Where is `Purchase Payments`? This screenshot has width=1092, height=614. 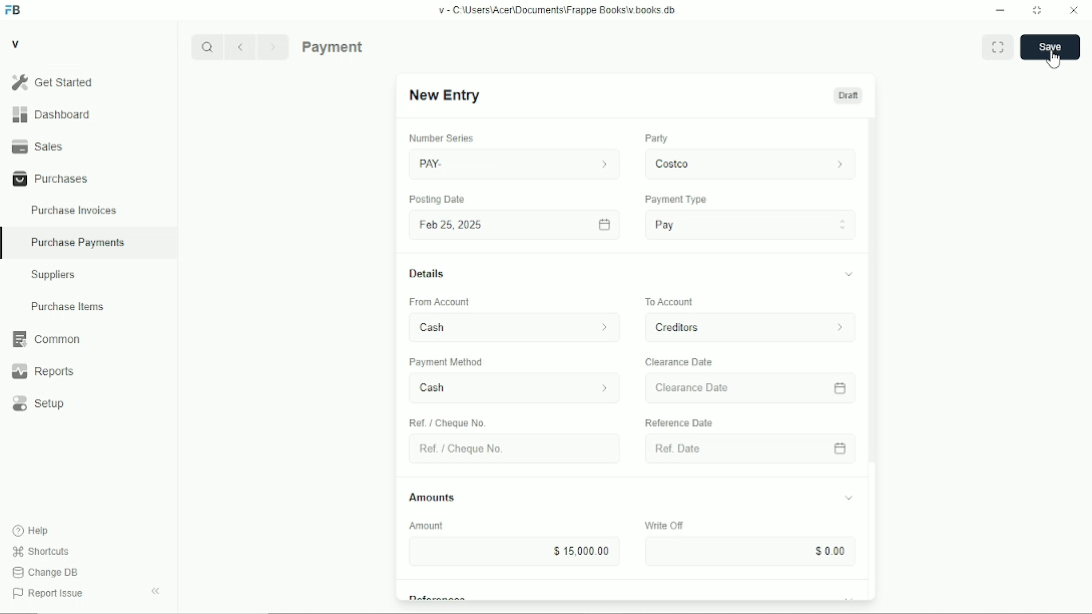 Purchase Payments is located at coordinates (89, 244).